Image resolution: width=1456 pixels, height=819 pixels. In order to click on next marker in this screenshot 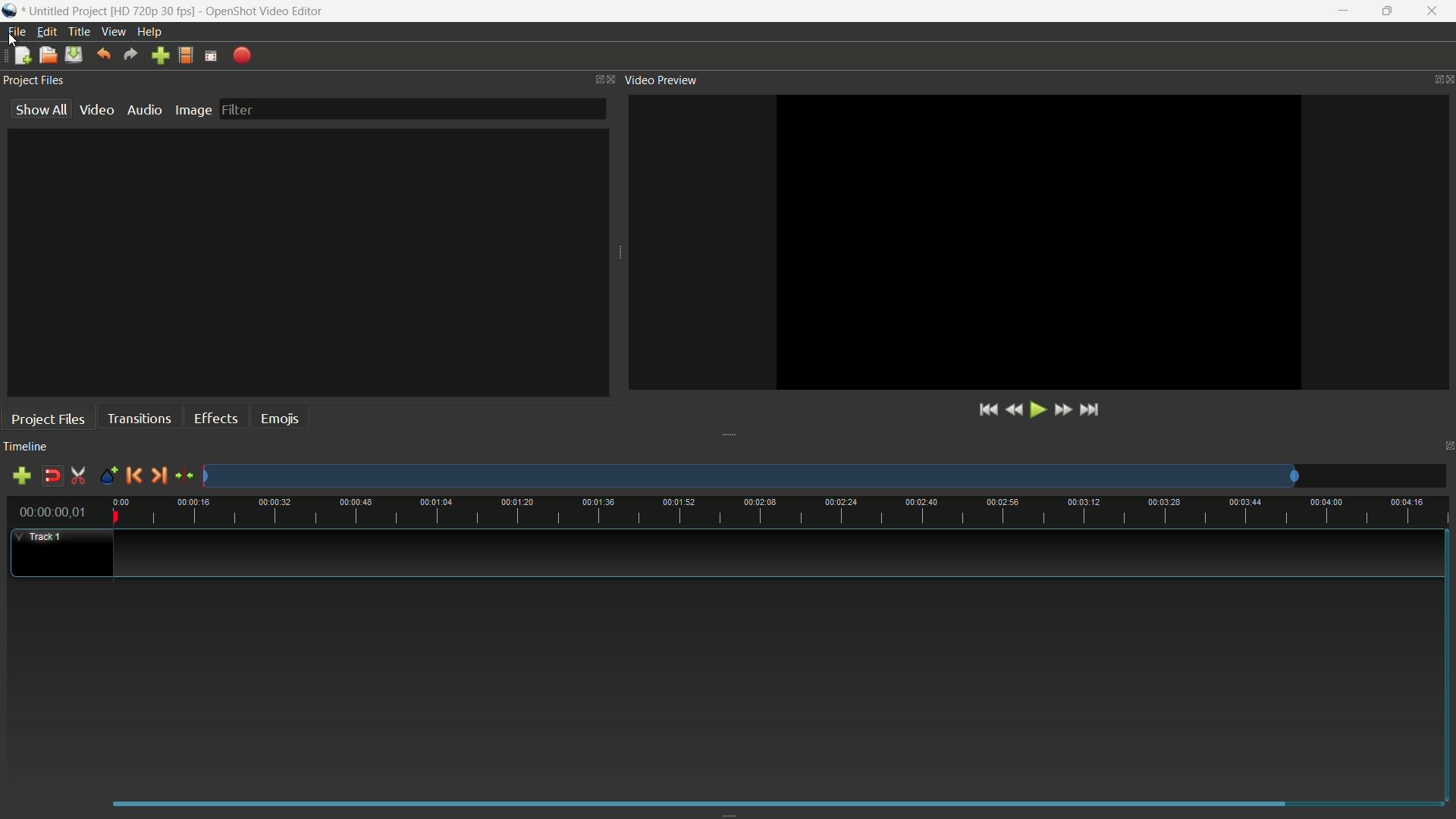, I will do `click(158, 475)`.